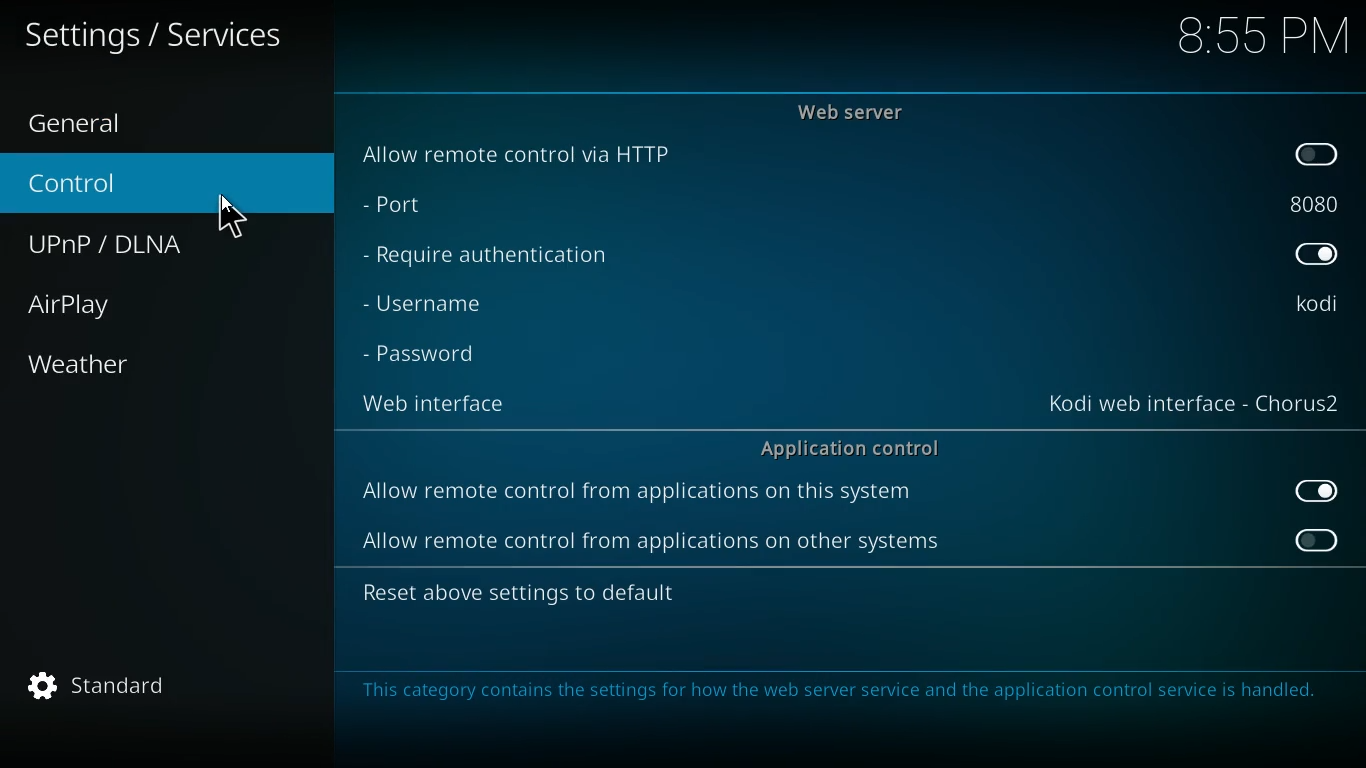 This screenshot has width=1366, height=768. Describe the element at coordinates (648, 544) in the screenshot. I see `allow remote control` at that location.